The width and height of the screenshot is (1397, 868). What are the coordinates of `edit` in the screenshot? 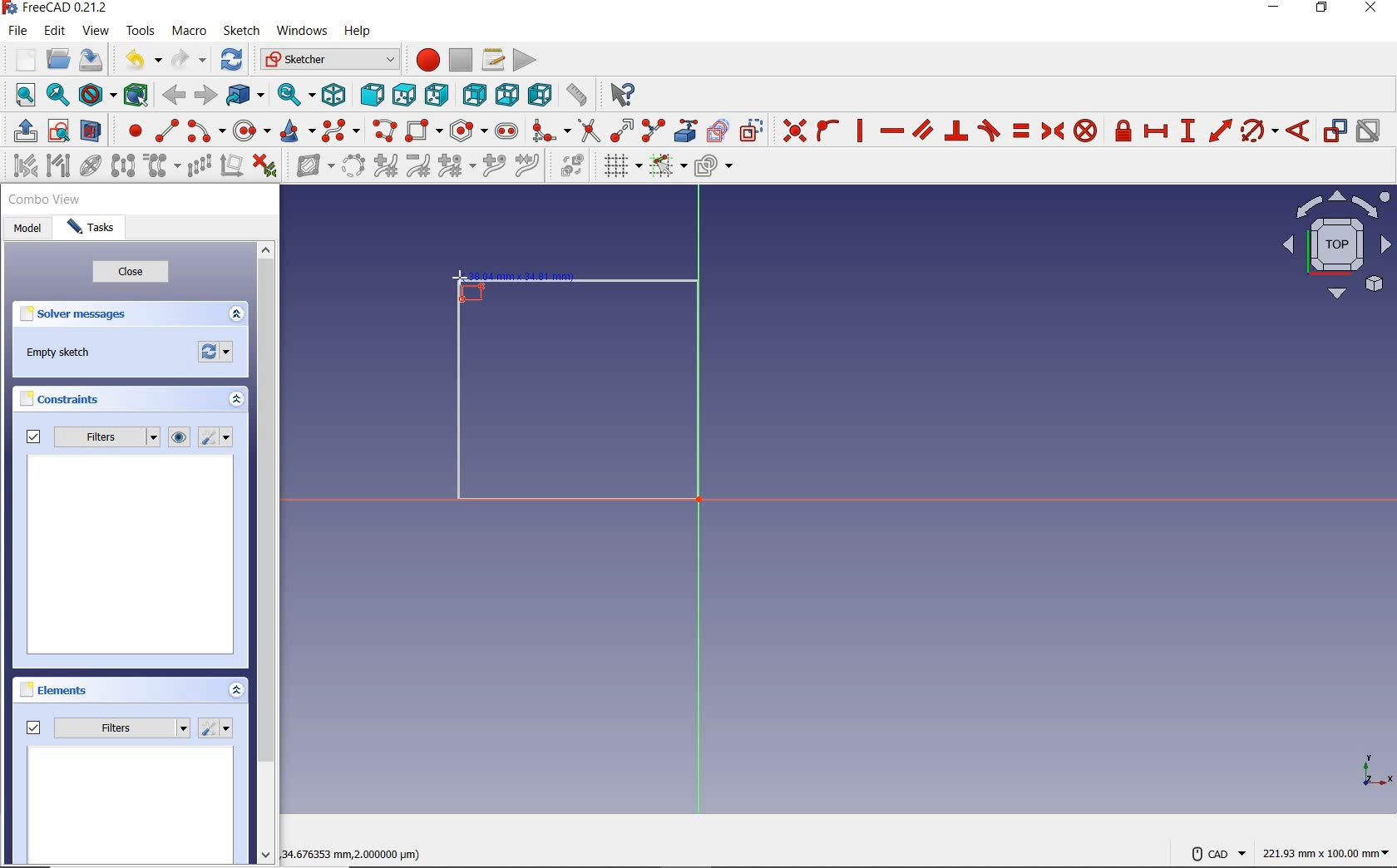 It's located at (55, 32).